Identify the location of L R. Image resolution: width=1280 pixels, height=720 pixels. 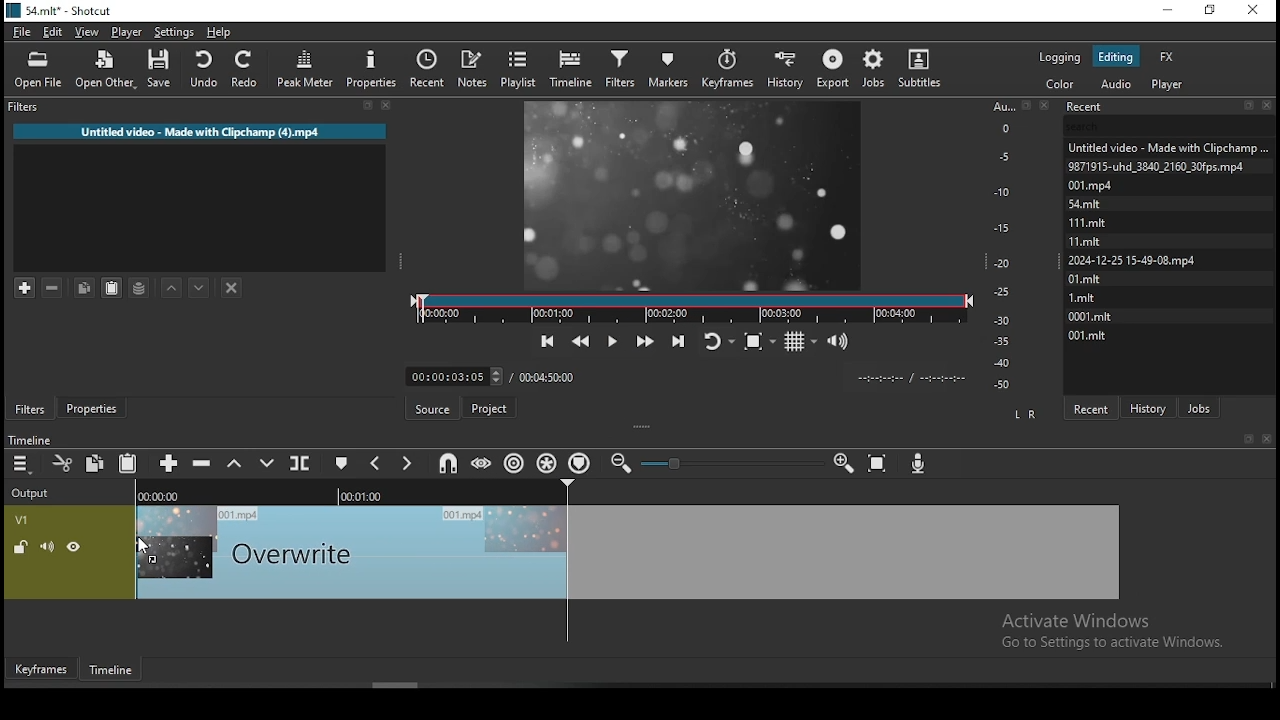
(1026, 413).